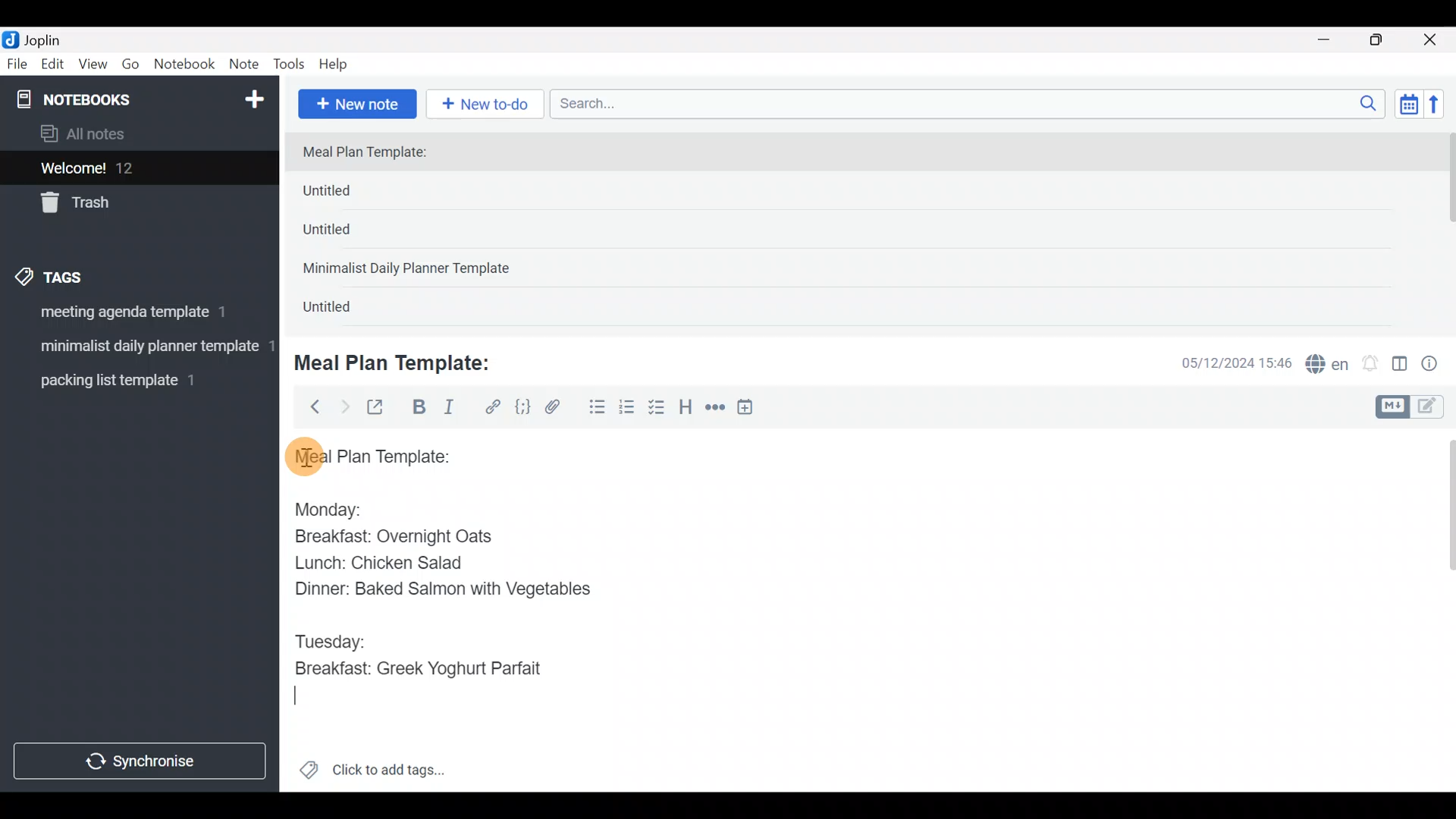 Image resolution: width=1456 pixels, height=819 pixels. I want to click on Trash, so click(130, 204).